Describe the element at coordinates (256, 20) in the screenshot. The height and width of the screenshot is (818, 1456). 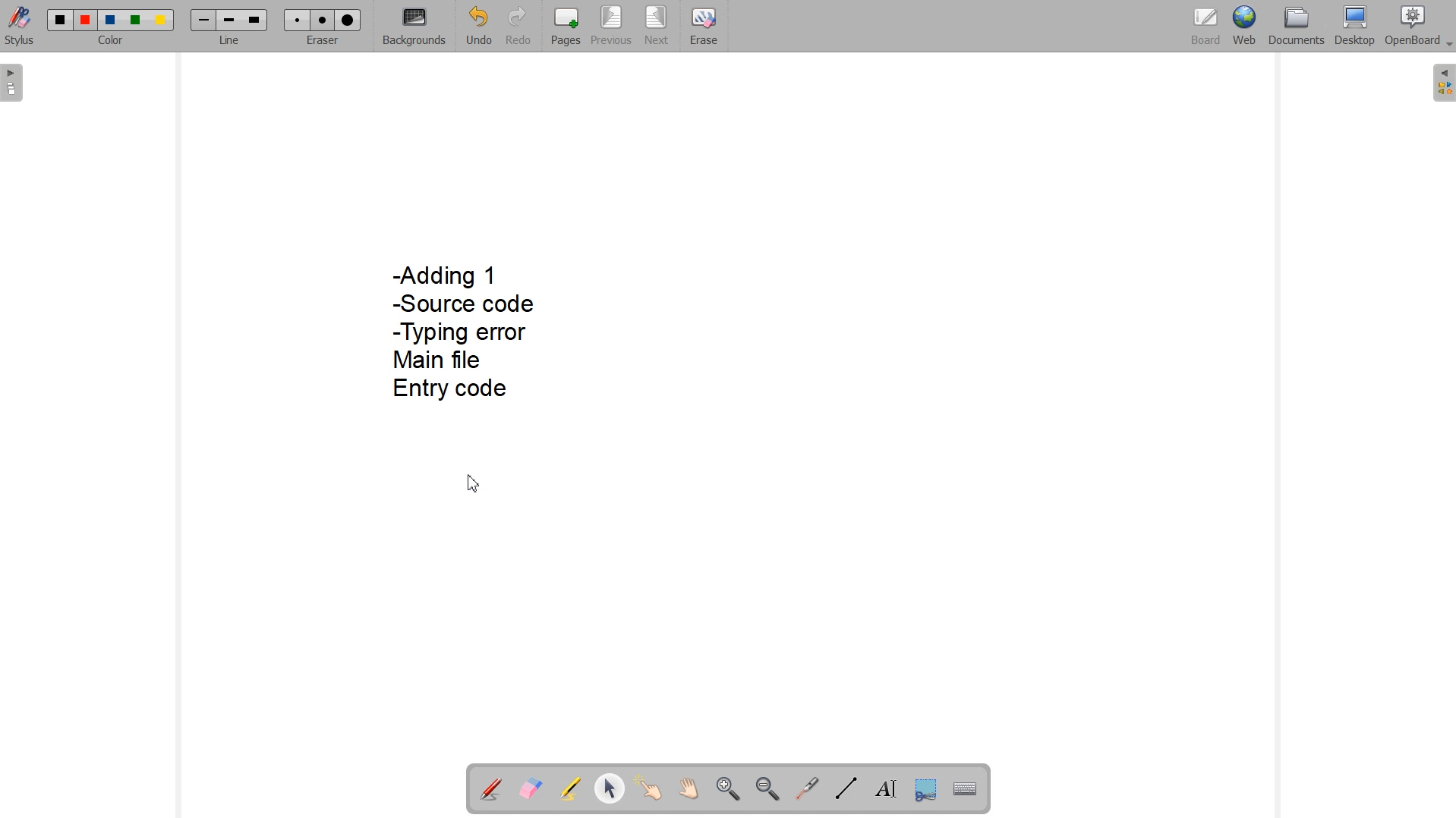
I see `Large line` at that location.